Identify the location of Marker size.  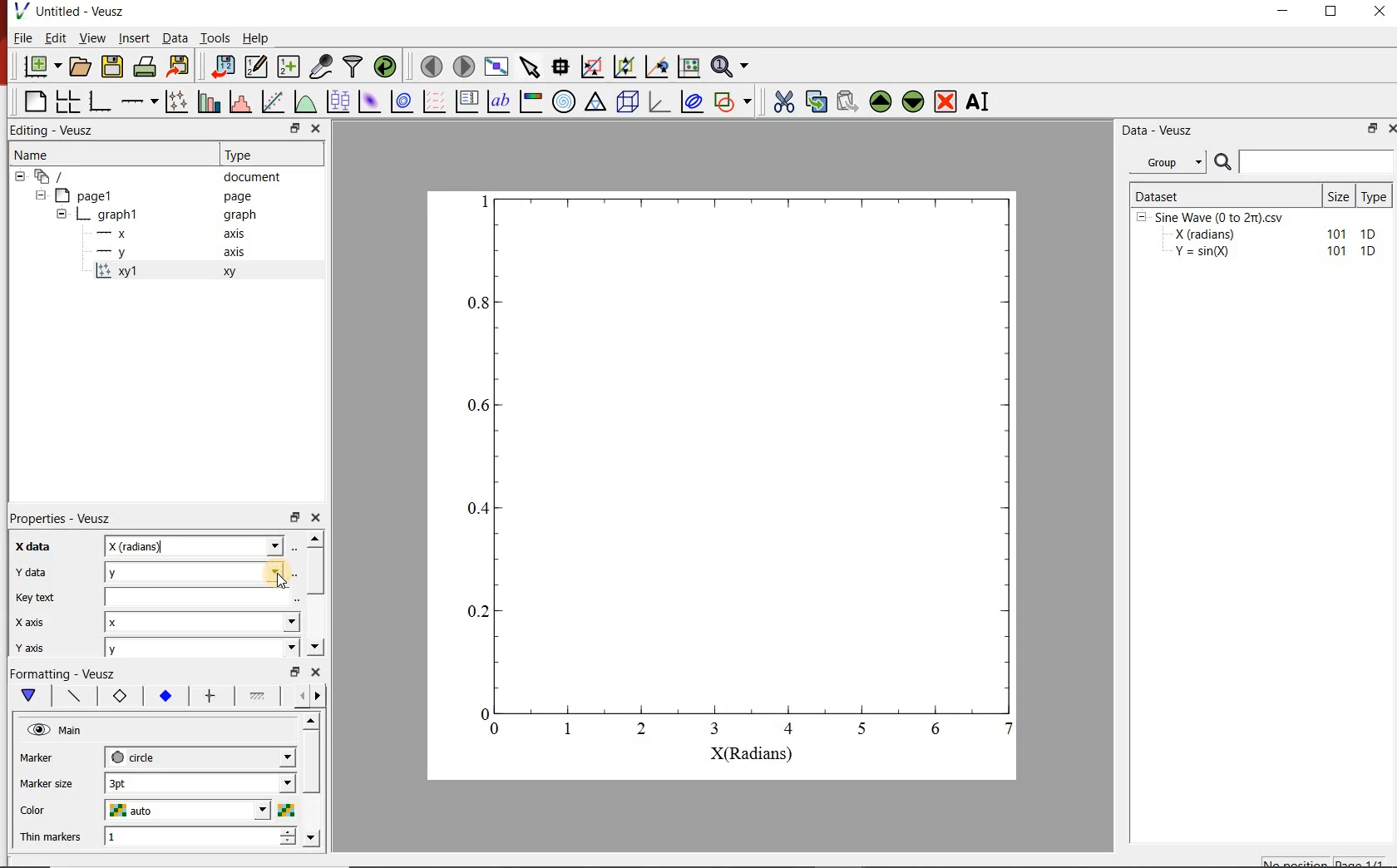
(47, 756).